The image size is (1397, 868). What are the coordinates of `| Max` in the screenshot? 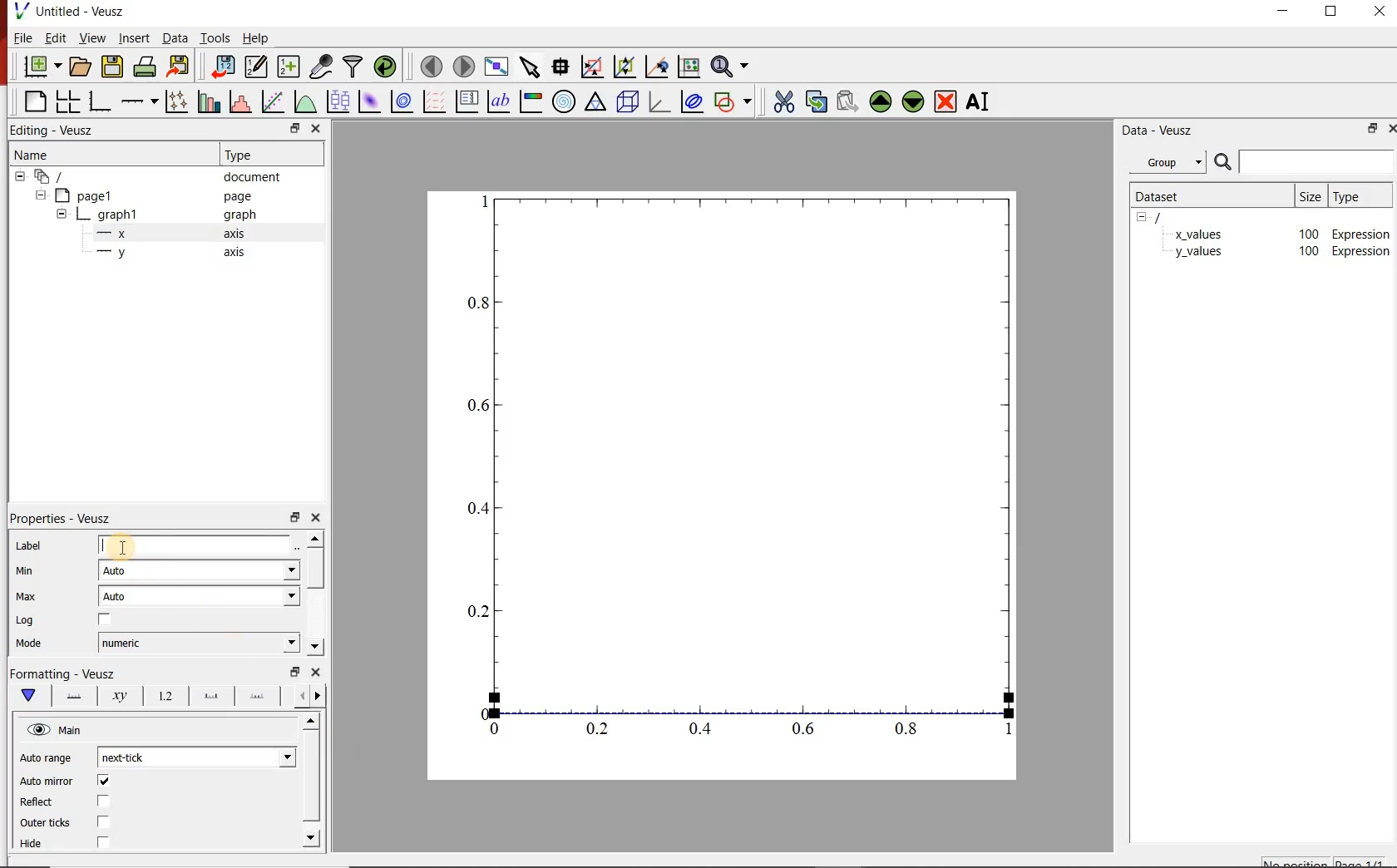 It's located at (27, 599).